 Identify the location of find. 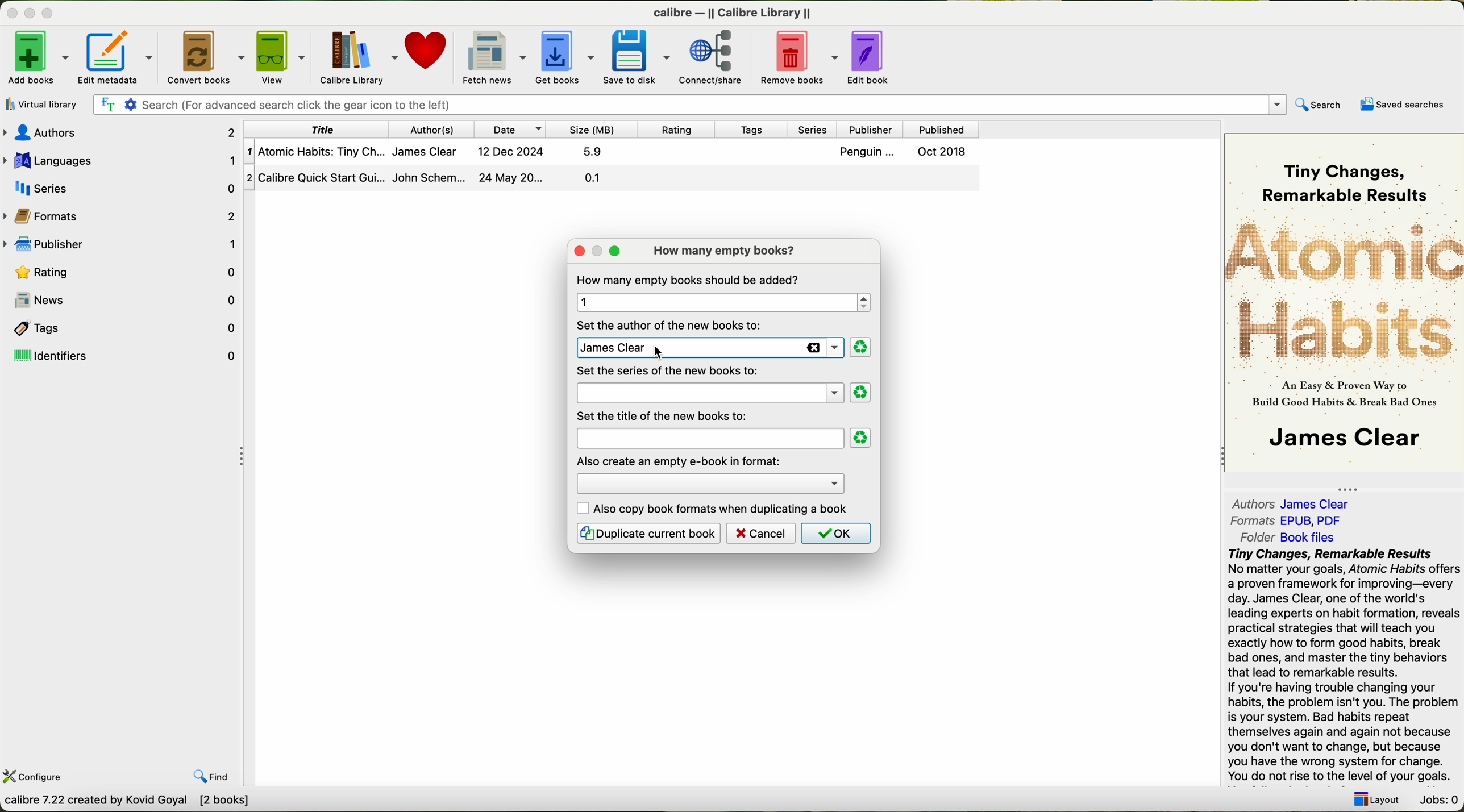
(212, 778).